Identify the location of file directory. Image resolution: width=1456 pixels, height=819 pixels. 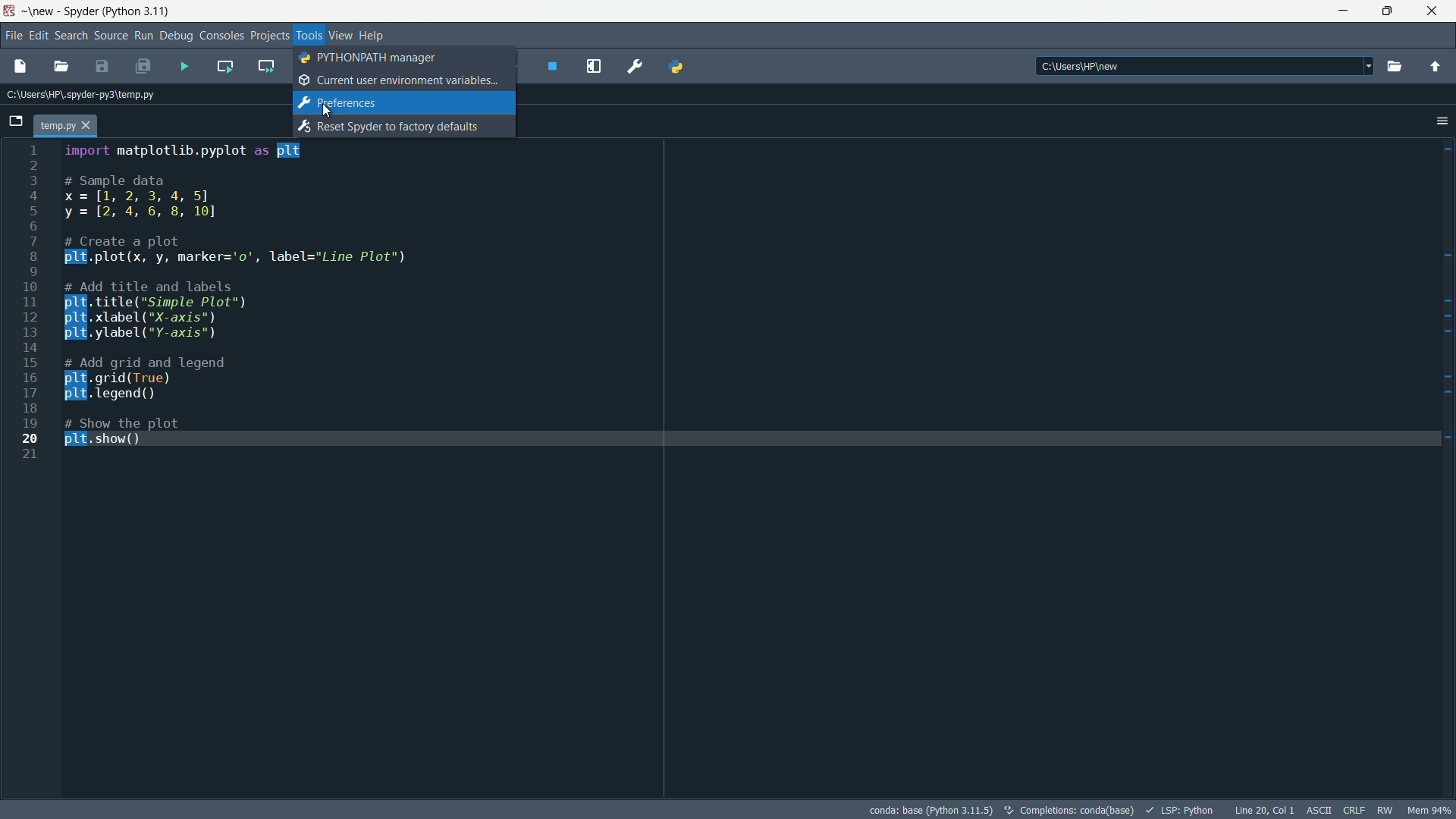
(79, 95).